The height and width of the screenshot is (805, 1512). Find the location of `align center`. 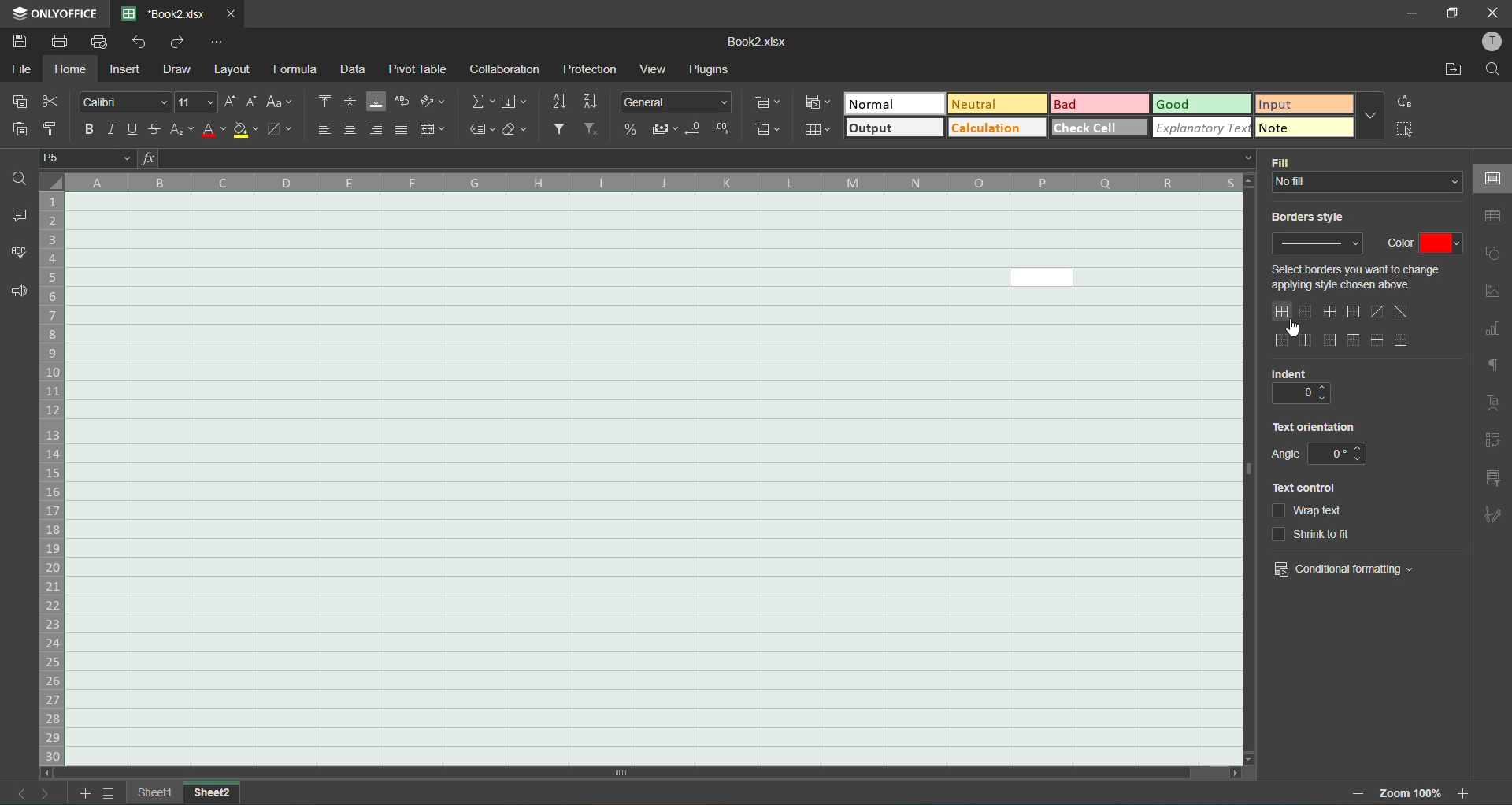

align center is located at coordinates (353, 130).